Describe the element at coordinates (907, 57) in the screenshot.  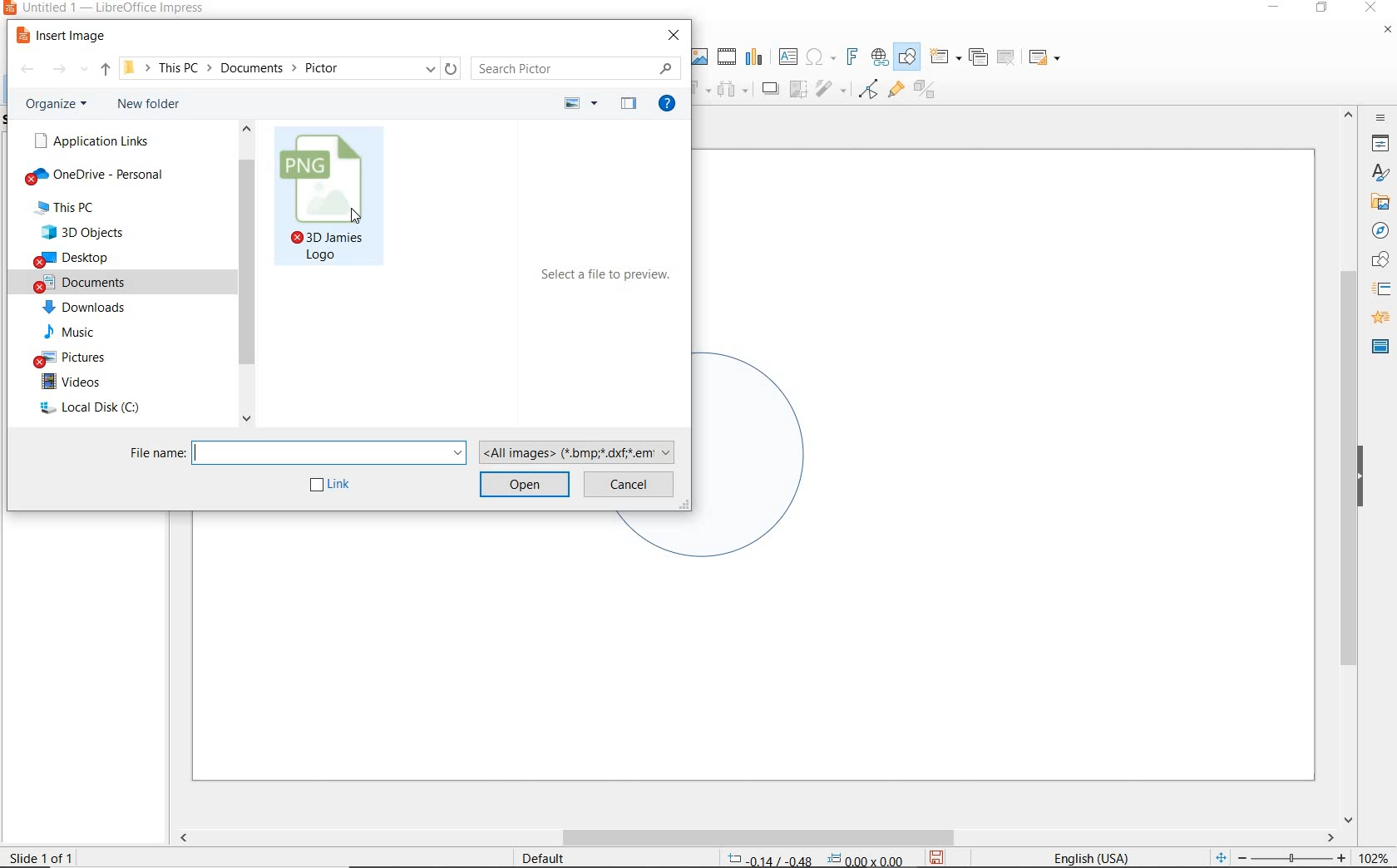
I see `show draw functions` at that location.